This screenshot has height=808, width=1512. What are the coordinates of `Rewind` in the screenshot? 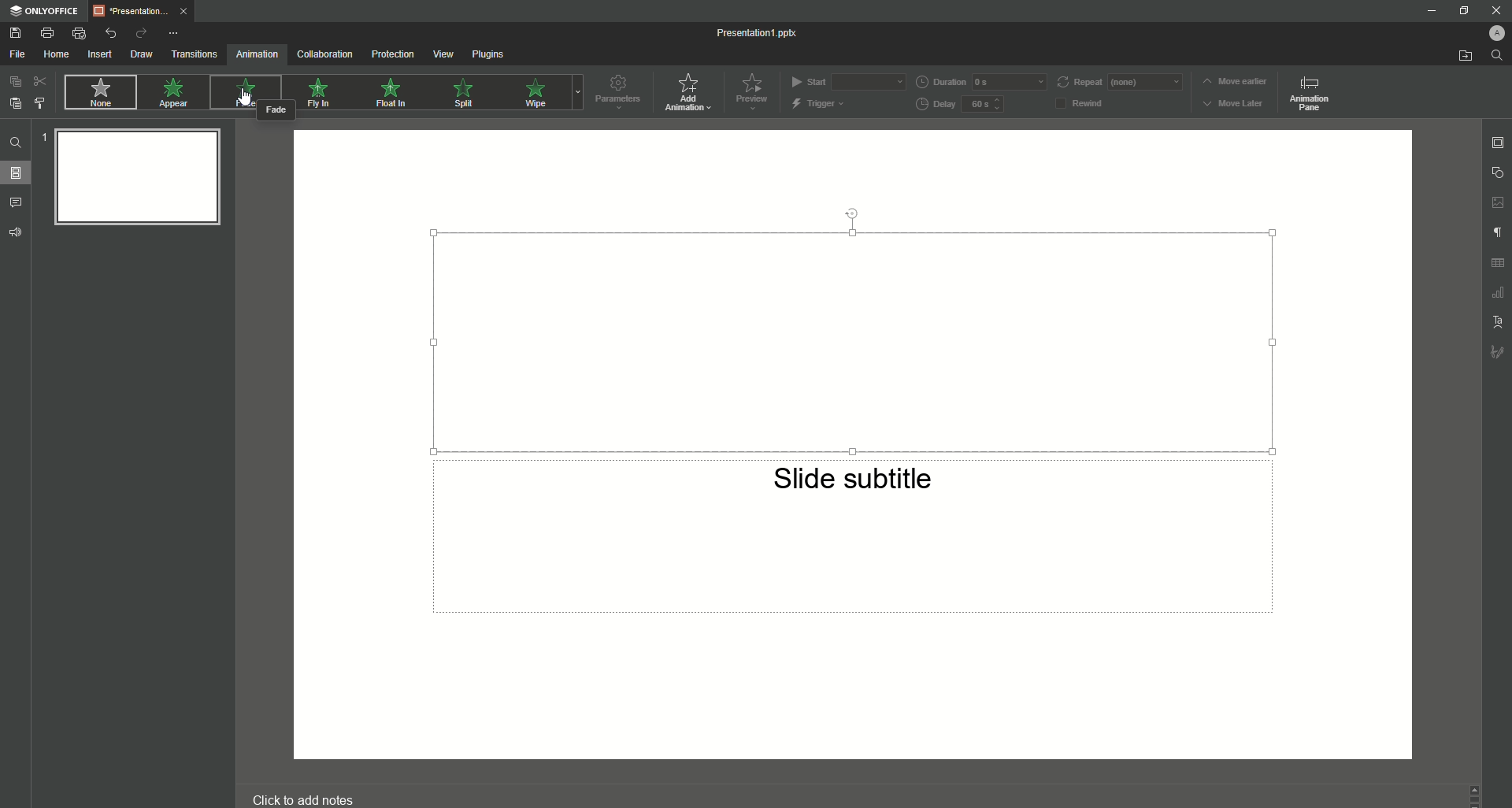 It's located at (1092, 102).